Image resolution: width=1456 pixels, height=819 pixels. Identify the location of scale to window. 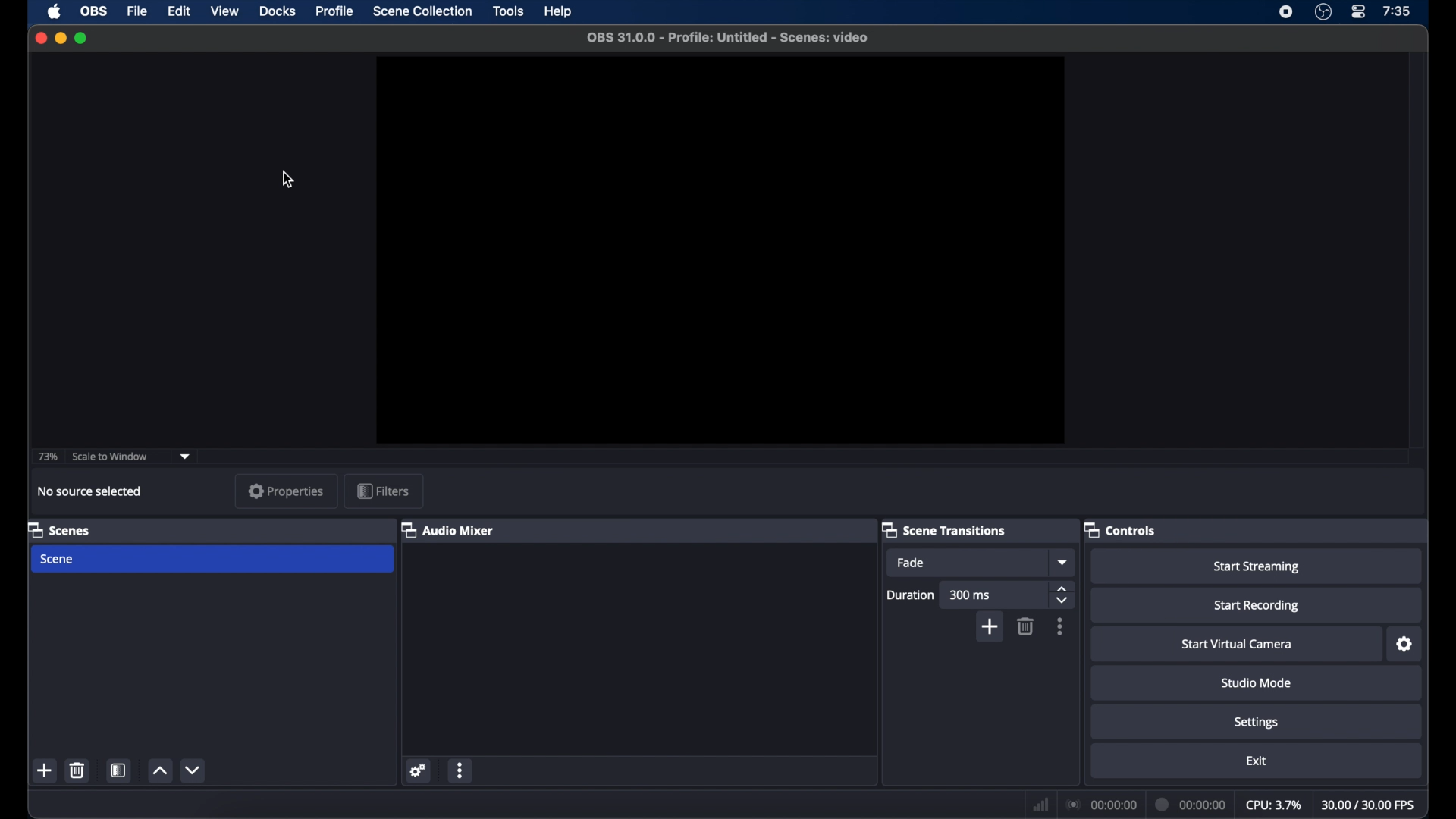
(111, 457).